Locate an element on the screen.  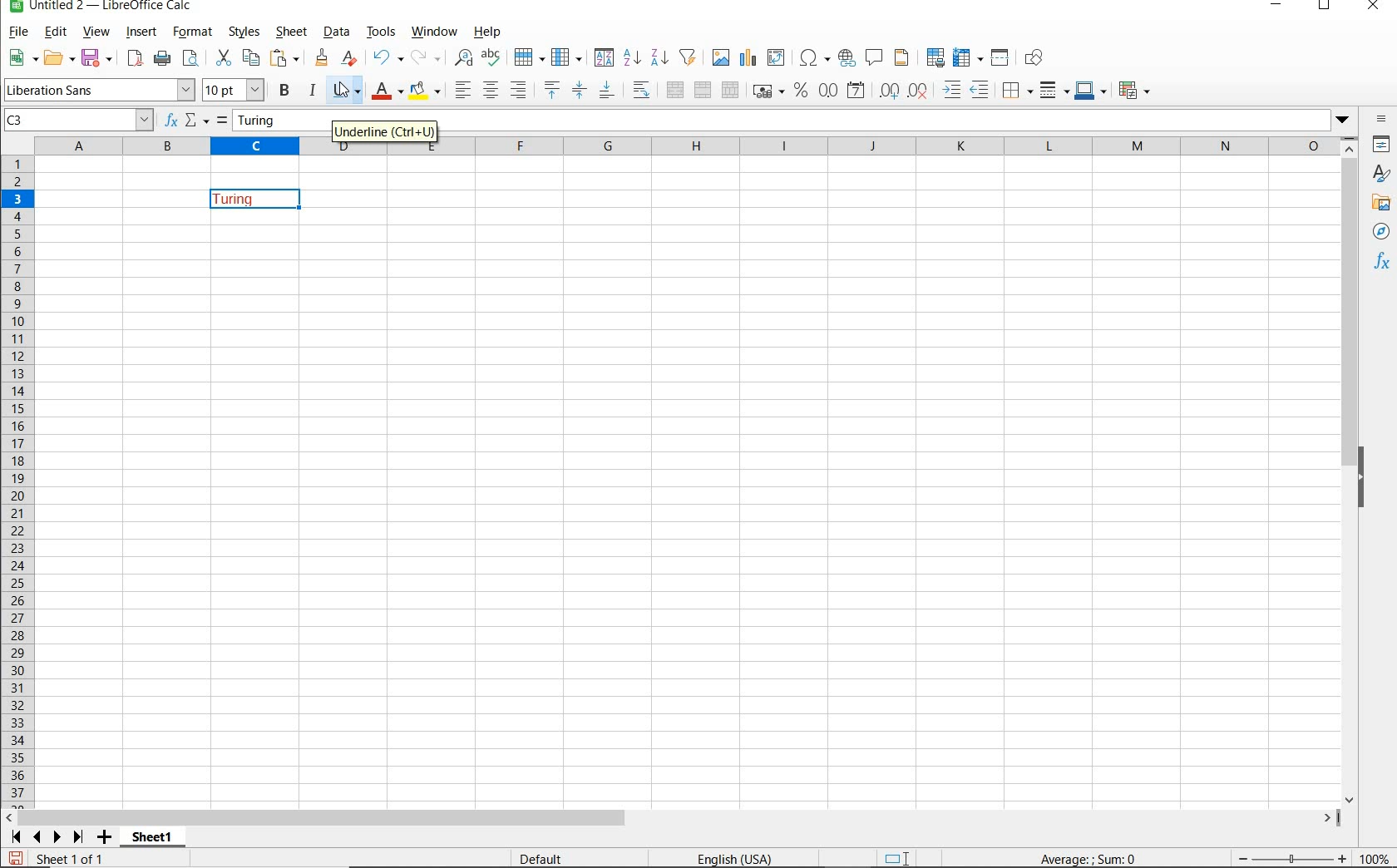
BORDER COLOR is located at coordinates (1090, 90).